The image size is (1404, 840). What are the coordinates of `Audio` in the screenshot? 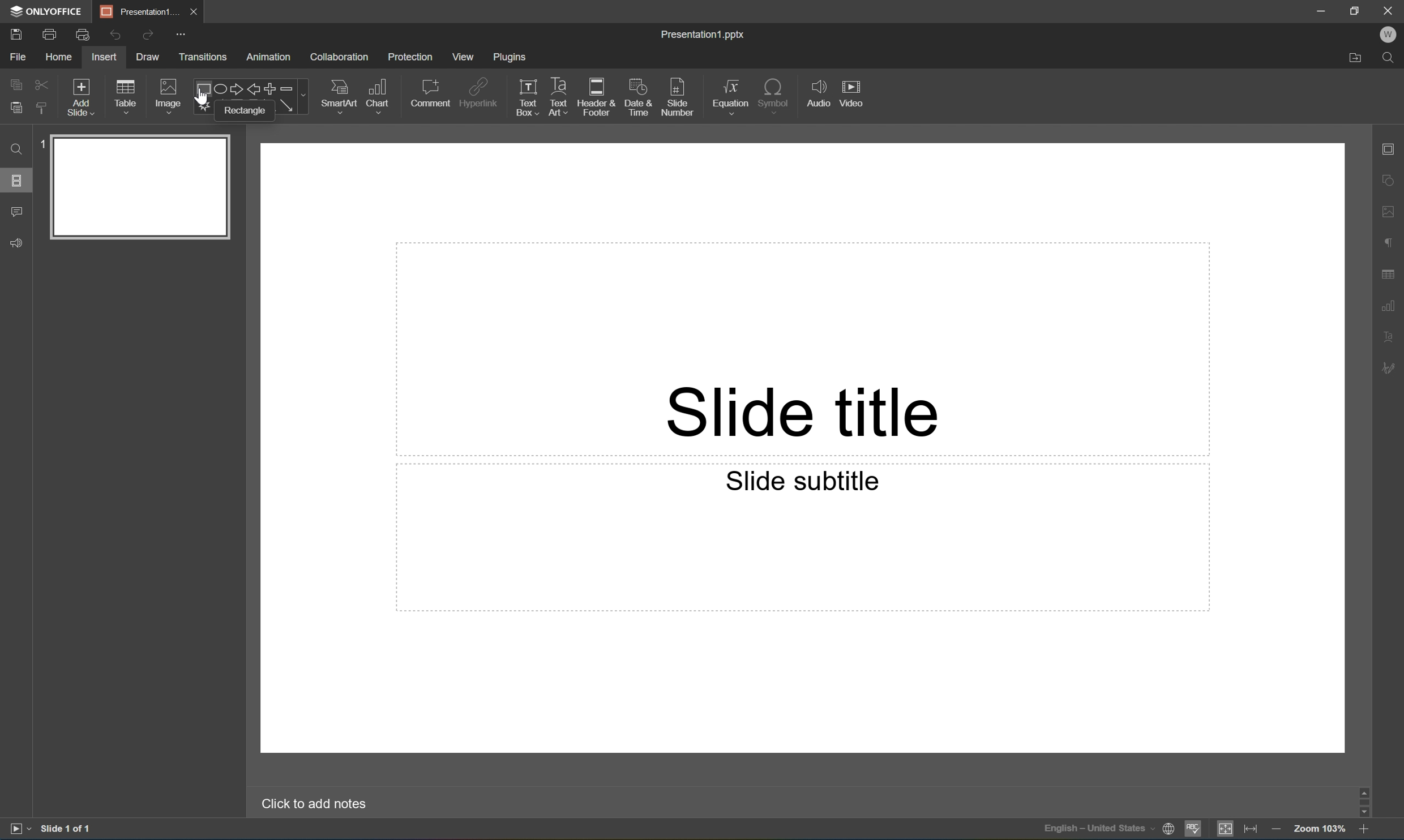 It's located at (819, 93).